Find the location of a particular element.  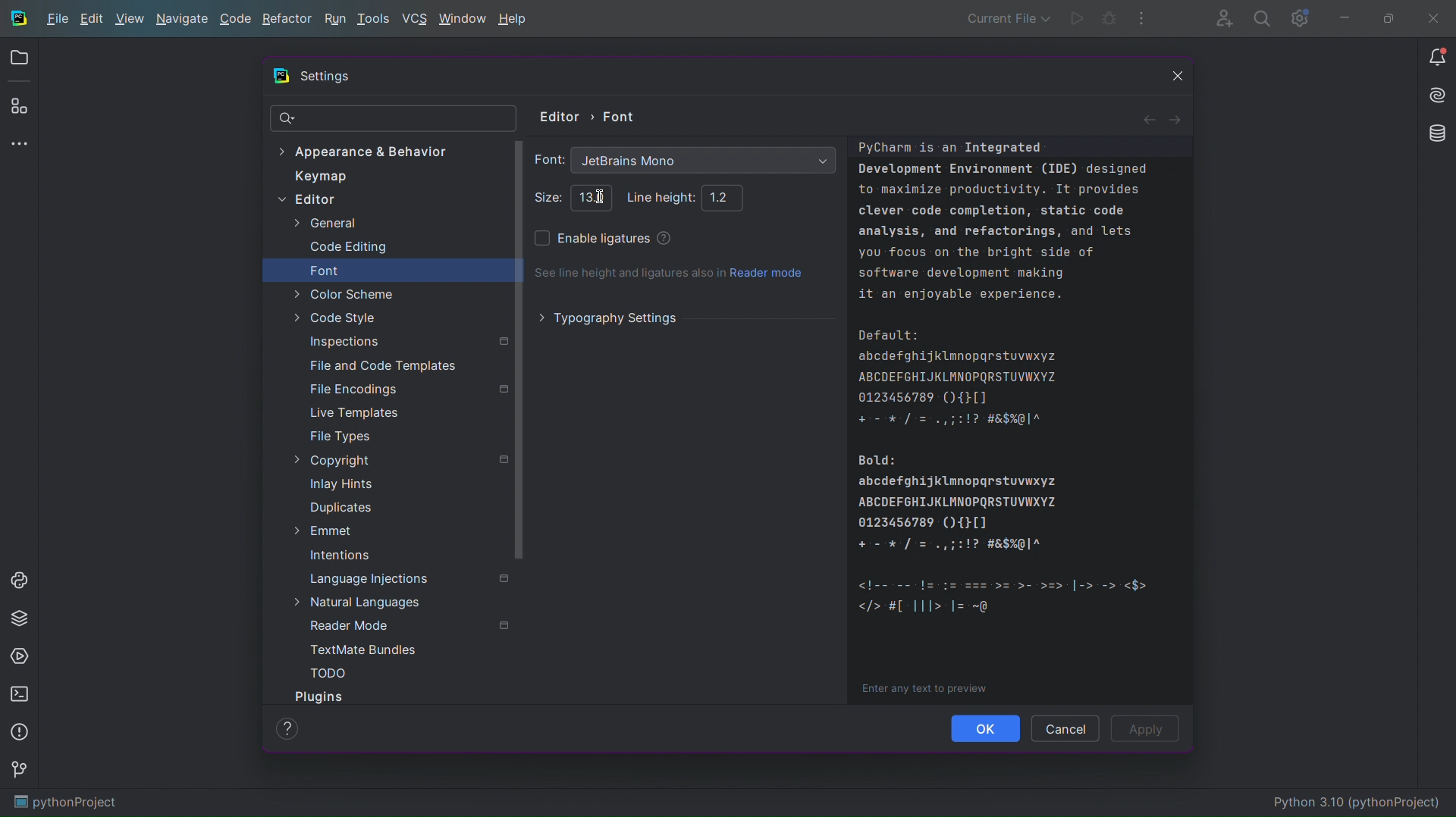

Natural Languages is located at coordinates (359, 602).